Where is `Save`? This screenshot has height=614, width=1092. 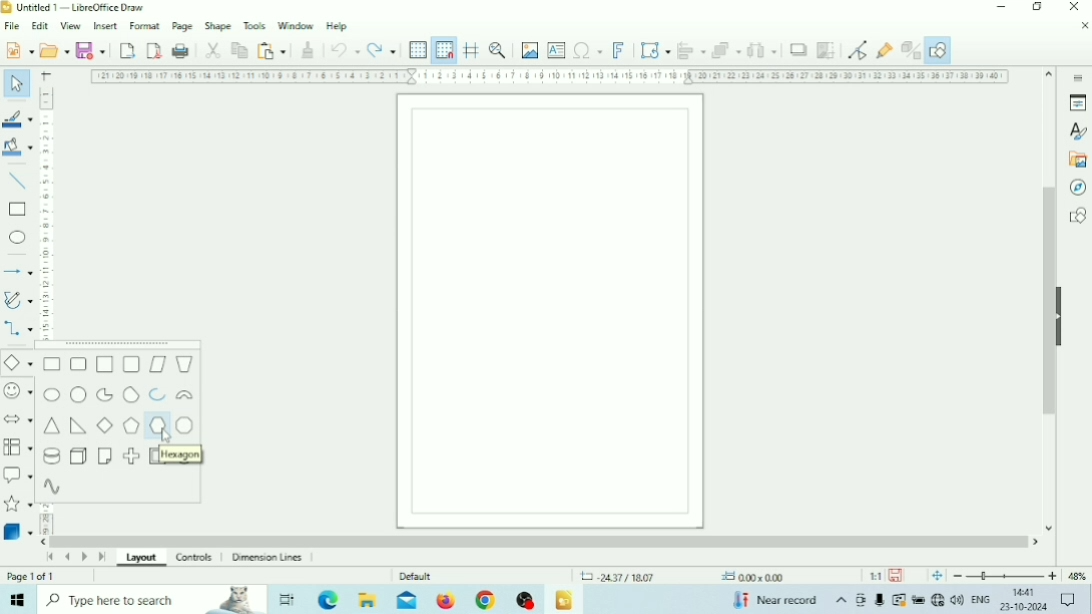
Save is located at coordinates (896, 576).